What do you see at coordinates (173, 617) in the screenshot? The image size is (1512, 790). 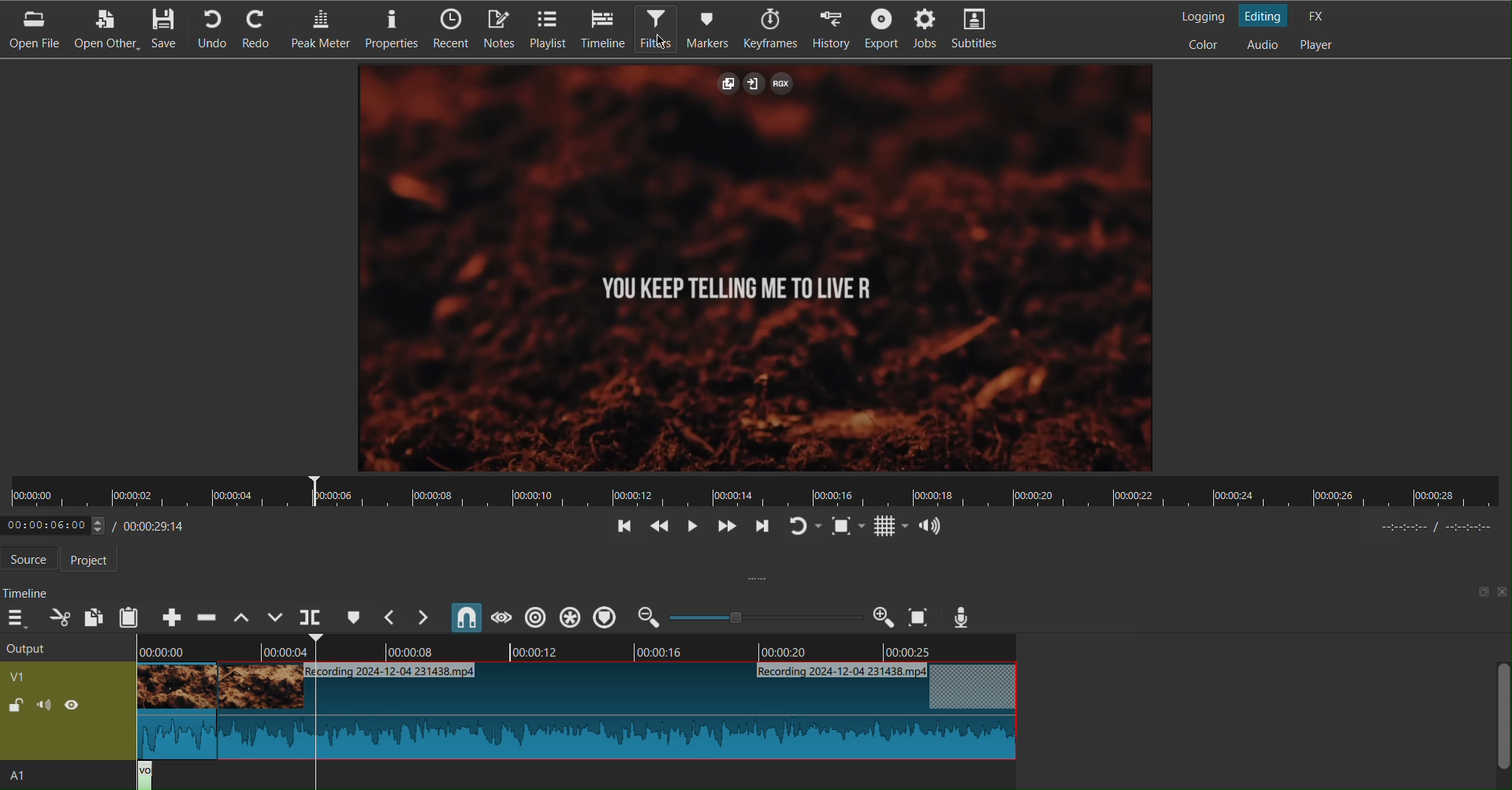 I see `Append` at bounding box center [173, 617].